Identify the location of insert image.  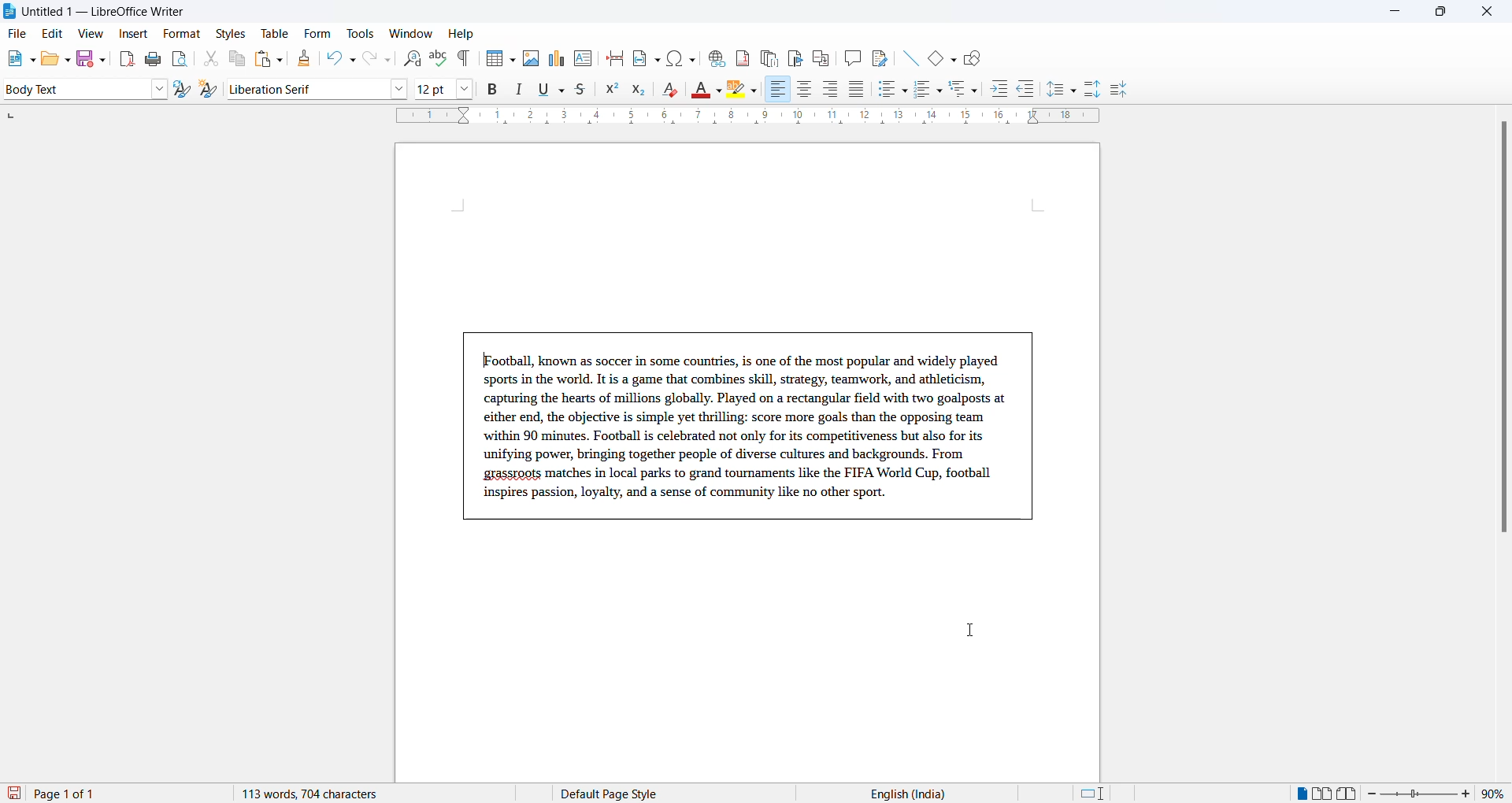
(497, 60).